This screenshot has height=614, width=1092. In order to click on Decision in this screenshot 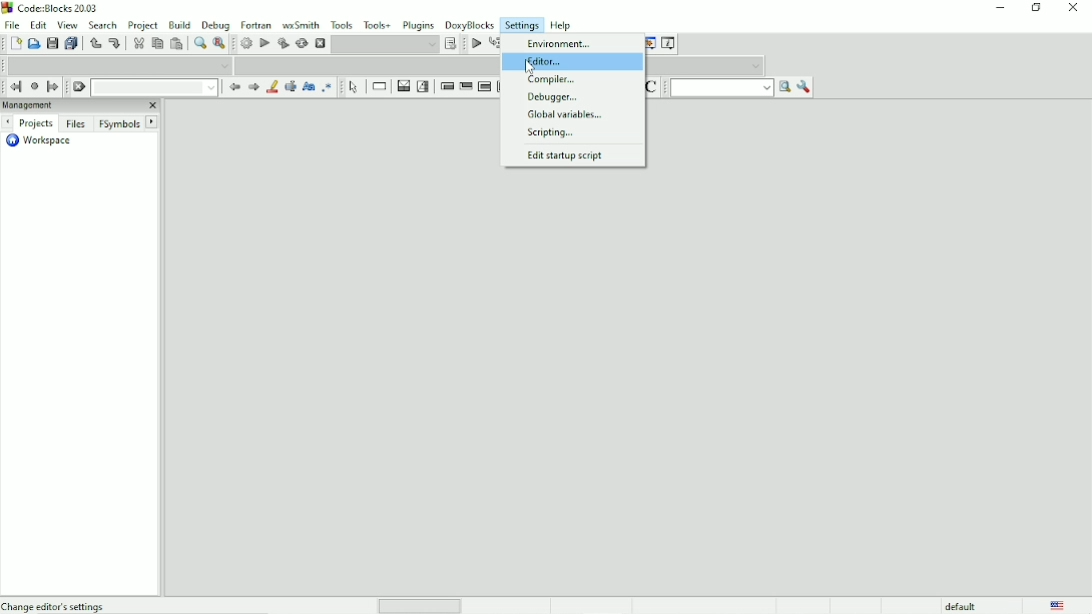, I will do `click(403, 86)`.